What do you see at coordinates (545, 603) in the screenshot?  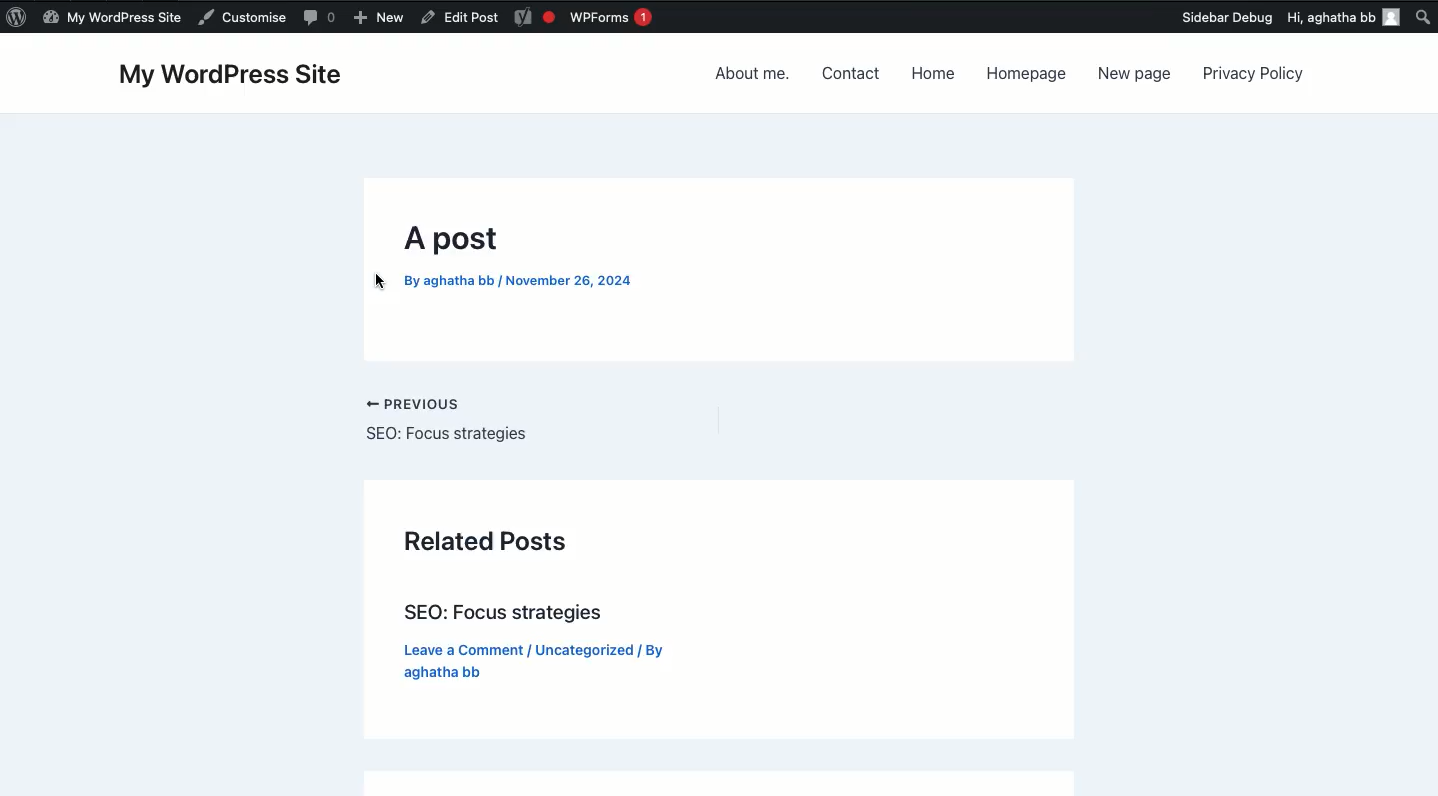 I see `Related posts` at bounding box center [545, 603].